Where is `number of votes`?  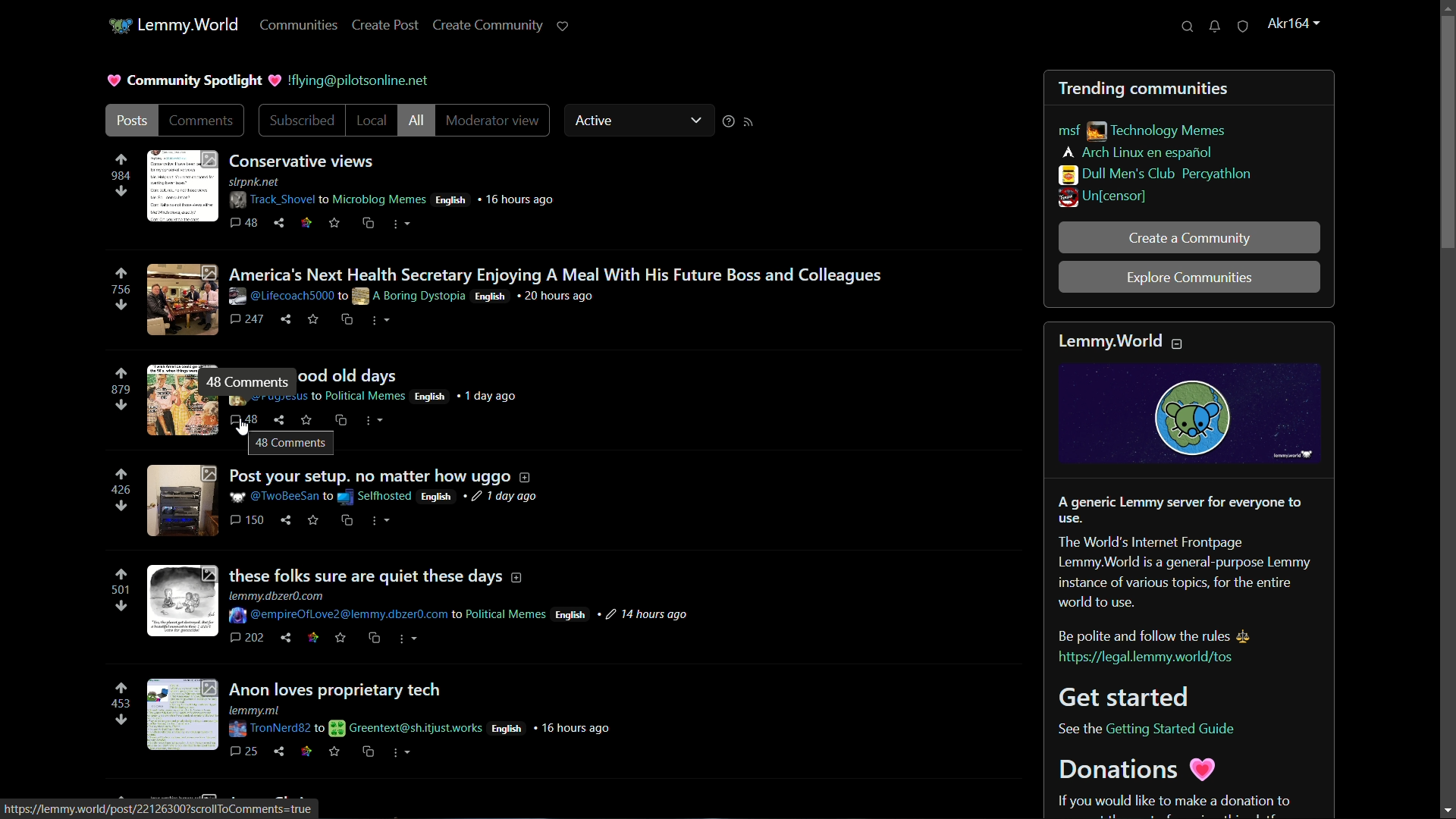
number of votes is located at coordinates (122, 491).